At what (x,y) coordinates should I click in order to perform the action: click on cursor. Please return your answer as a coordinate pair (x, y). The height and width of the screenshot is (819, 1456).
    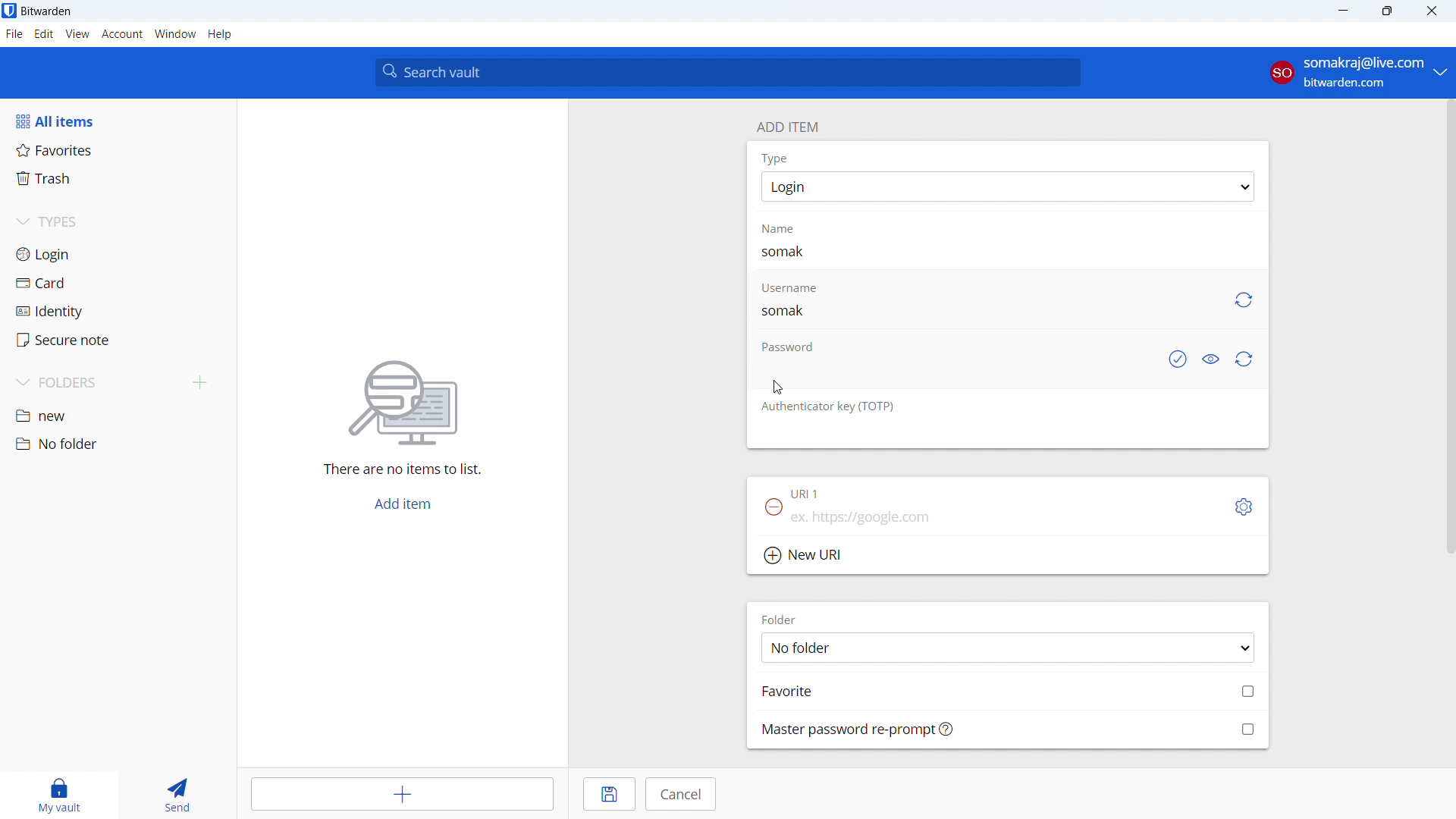
    Looking at the image, I should click on (777, 385).